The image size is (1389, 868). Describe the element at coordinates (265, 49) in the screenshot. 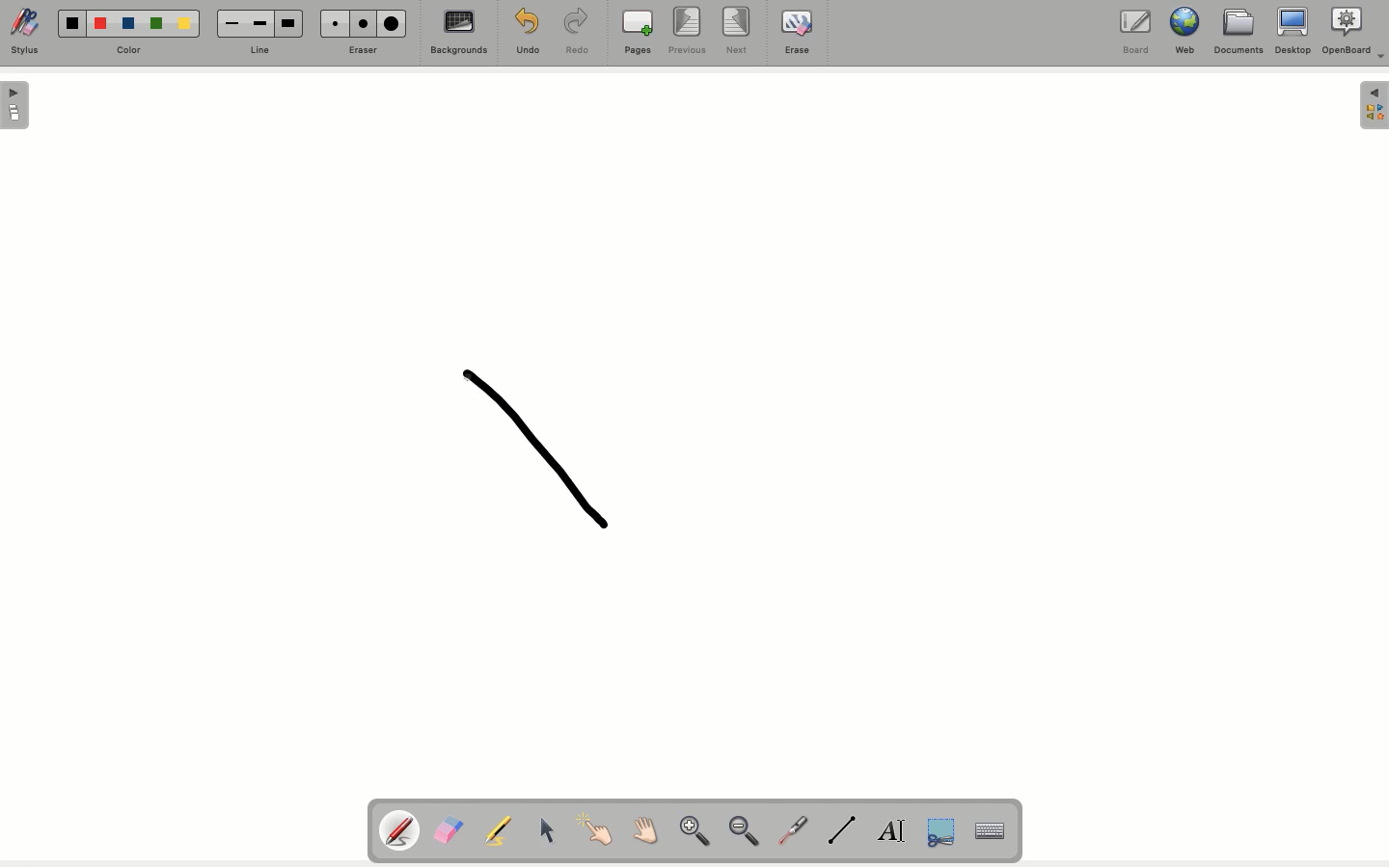

I see `Line` at that location.